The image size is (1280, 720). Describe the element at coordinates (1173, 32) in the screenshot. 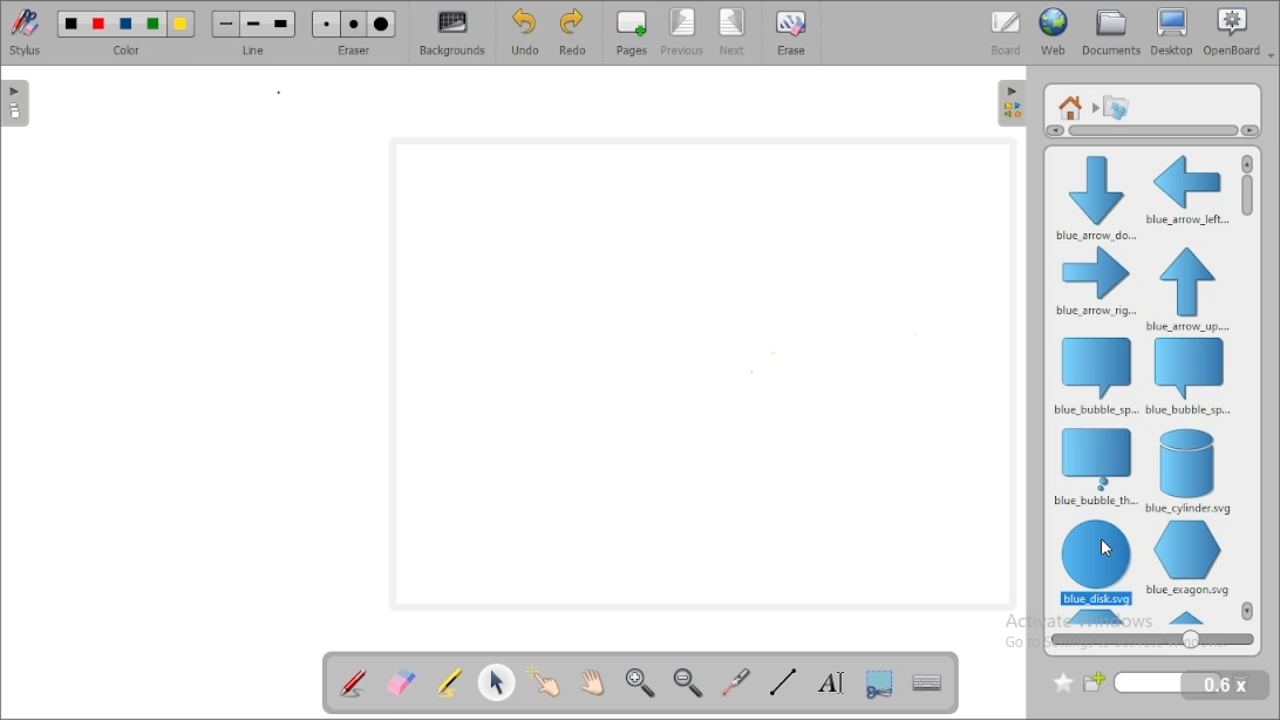

I see `desktop` at that location.